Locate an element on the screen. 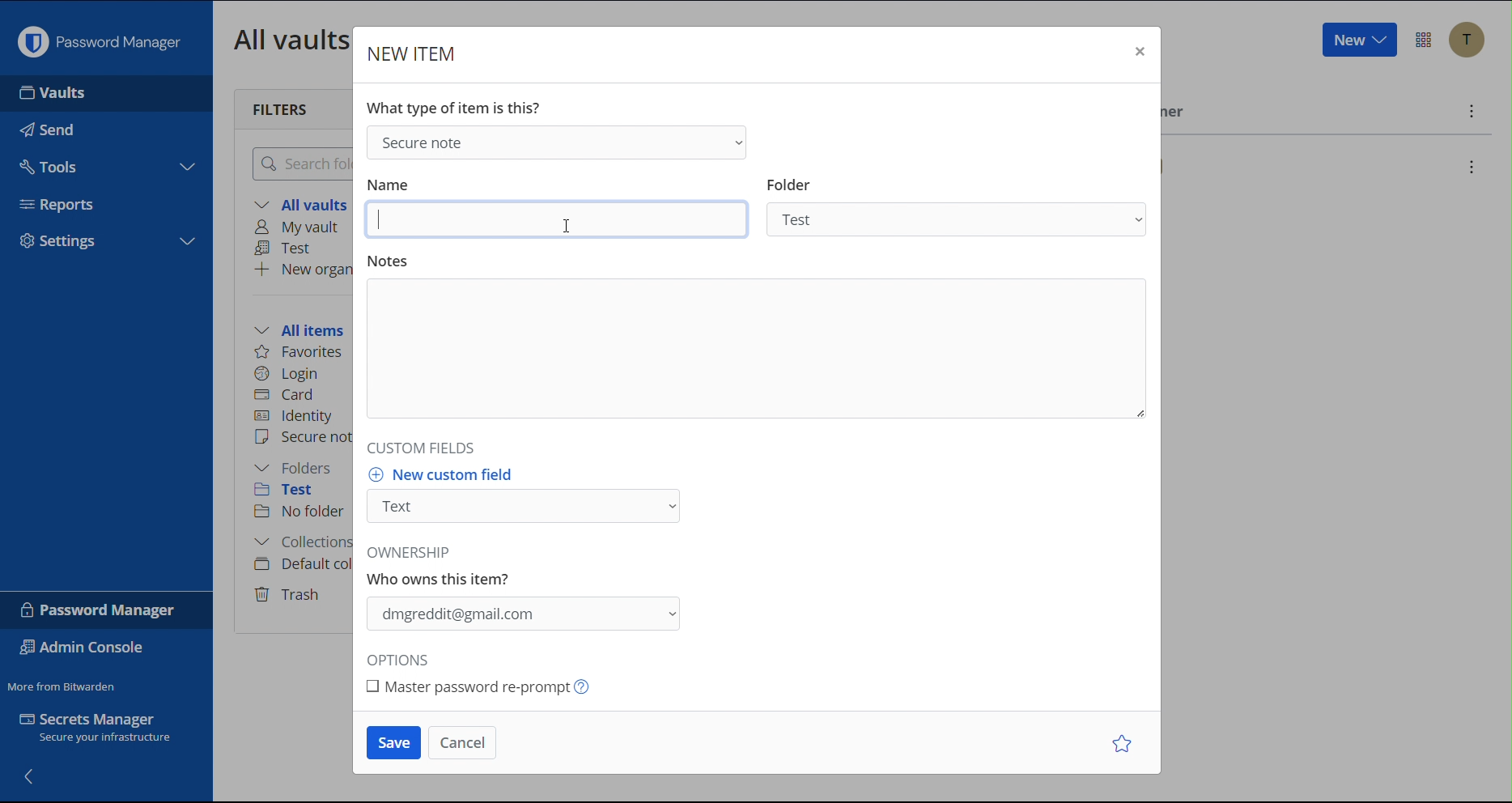 Image resolution: width=1512 pixels, height=803 pixels. Collections is located at coordinates (299, 544).